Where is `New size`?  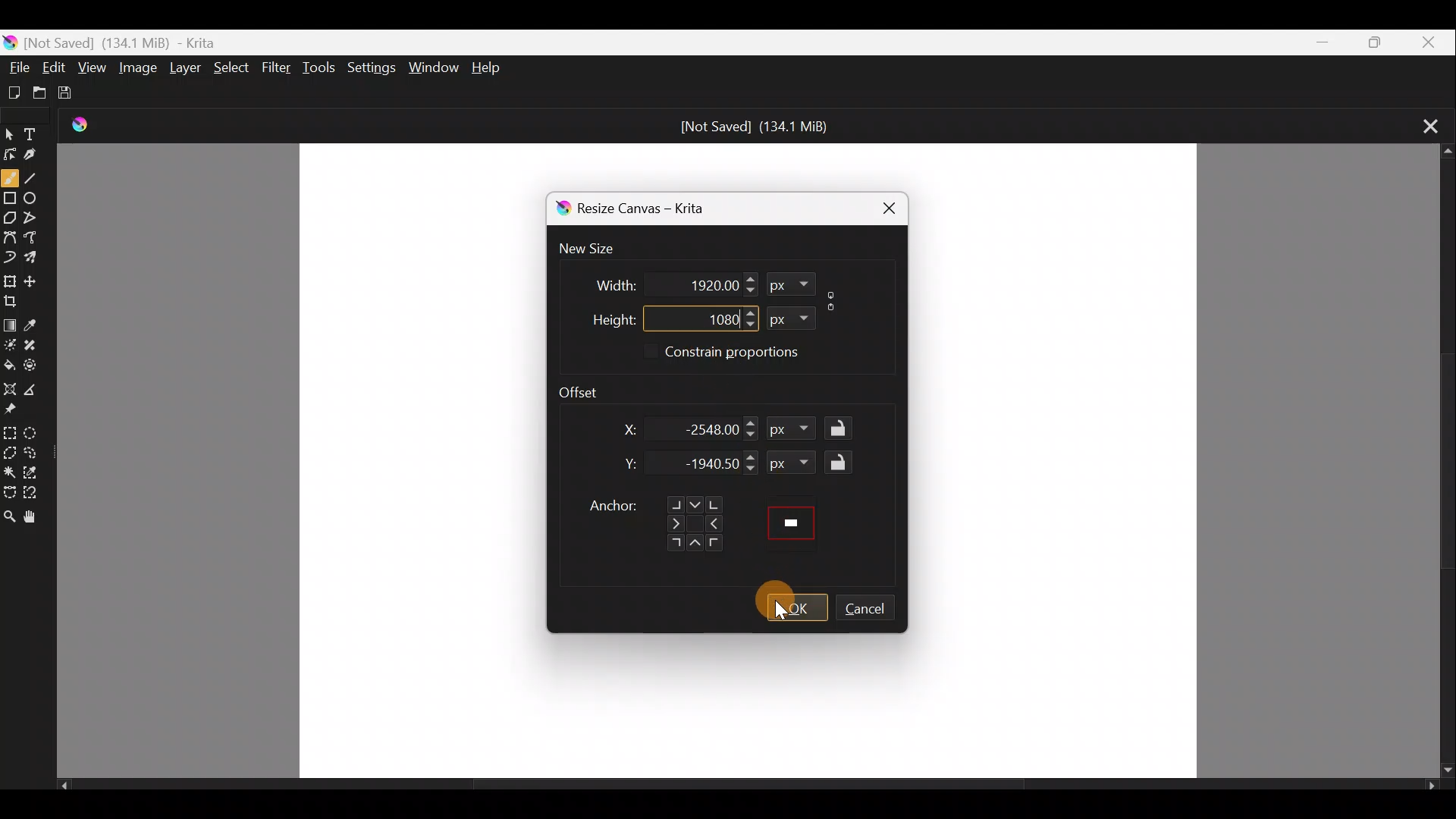 New size is located at coordinates (596, 249).